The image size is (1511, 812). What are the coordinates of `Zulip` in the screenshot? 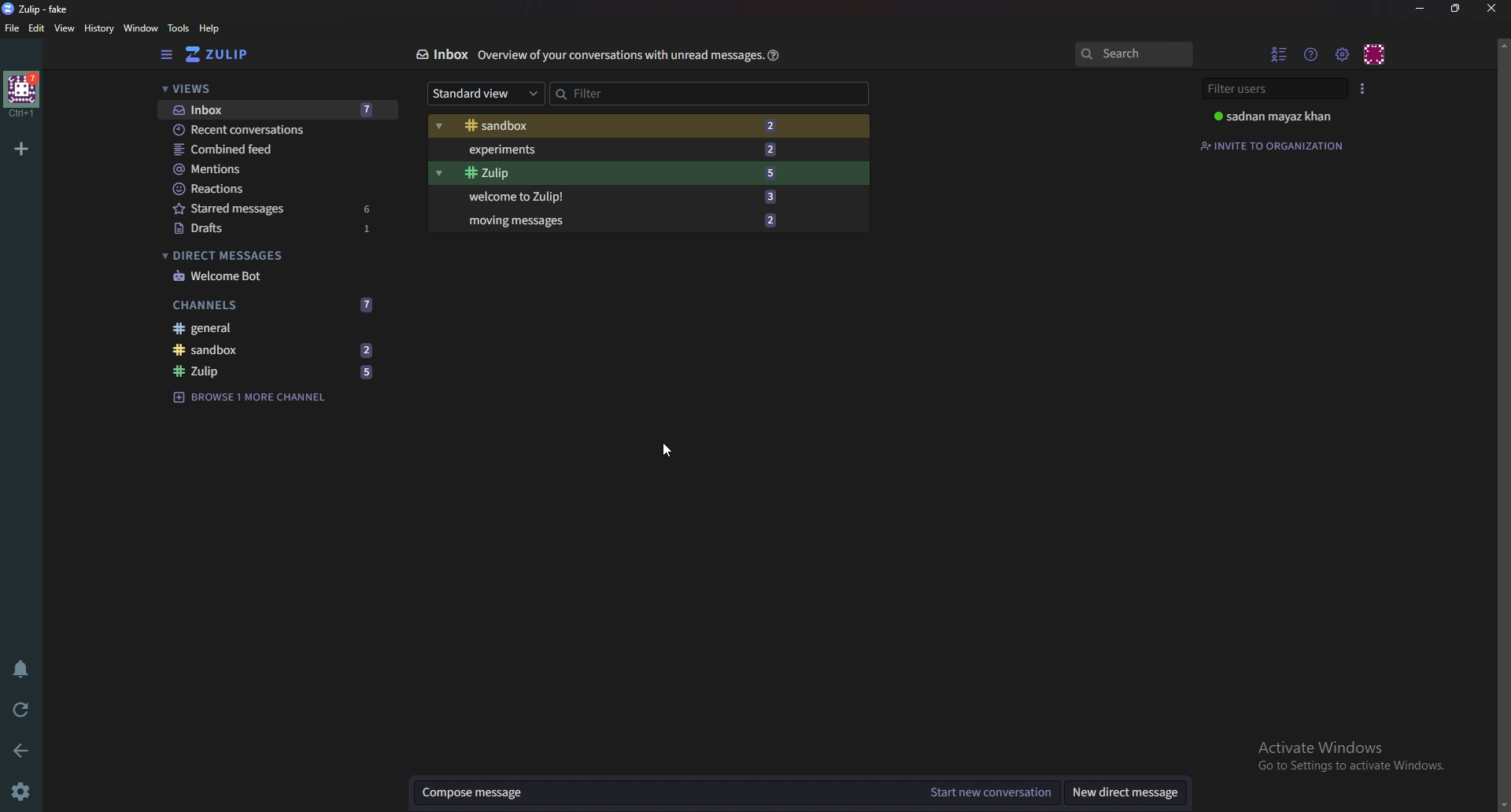 It's located at (619, 173).